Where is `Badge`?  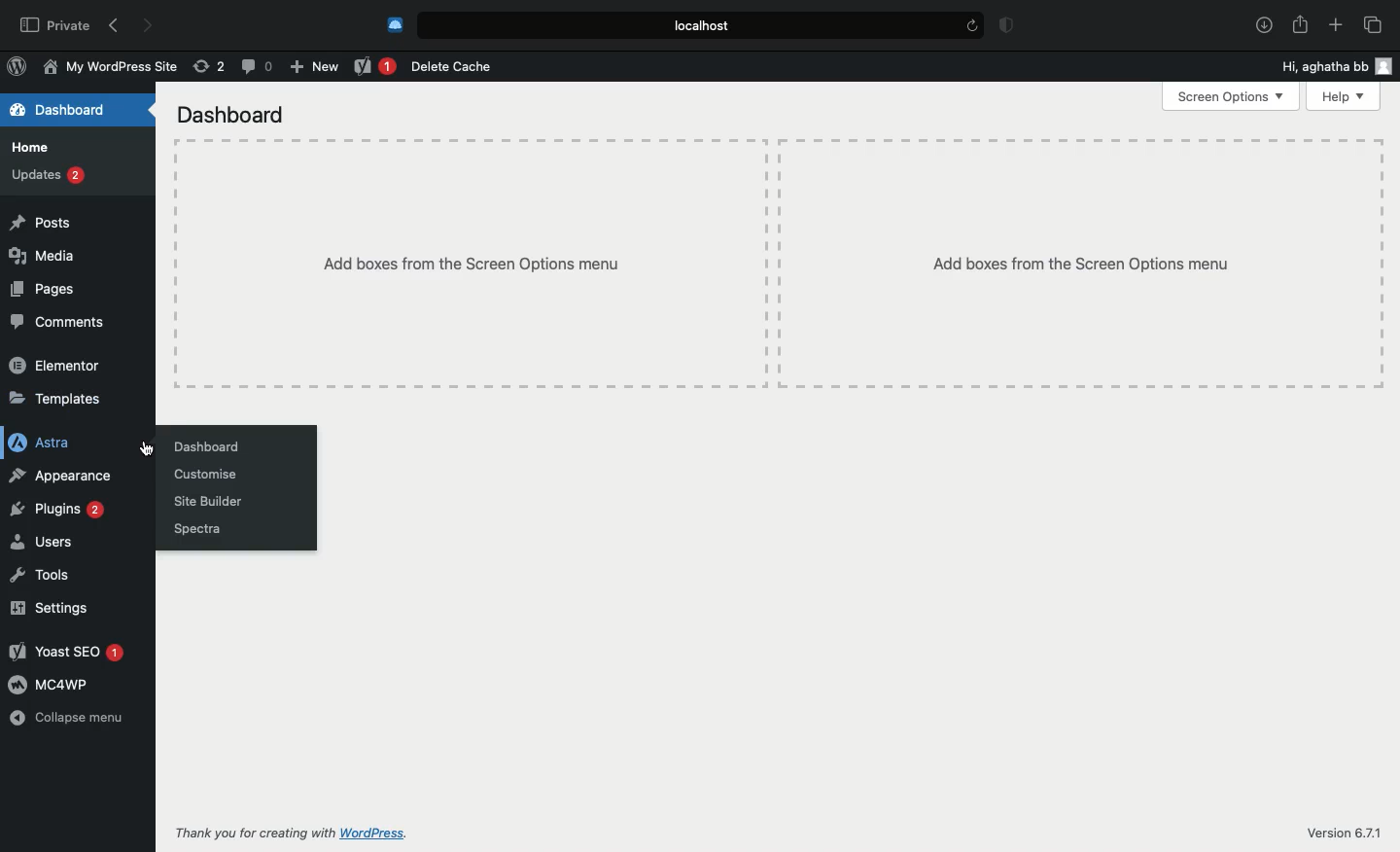
Badge is located at coordinates (1010, 27).